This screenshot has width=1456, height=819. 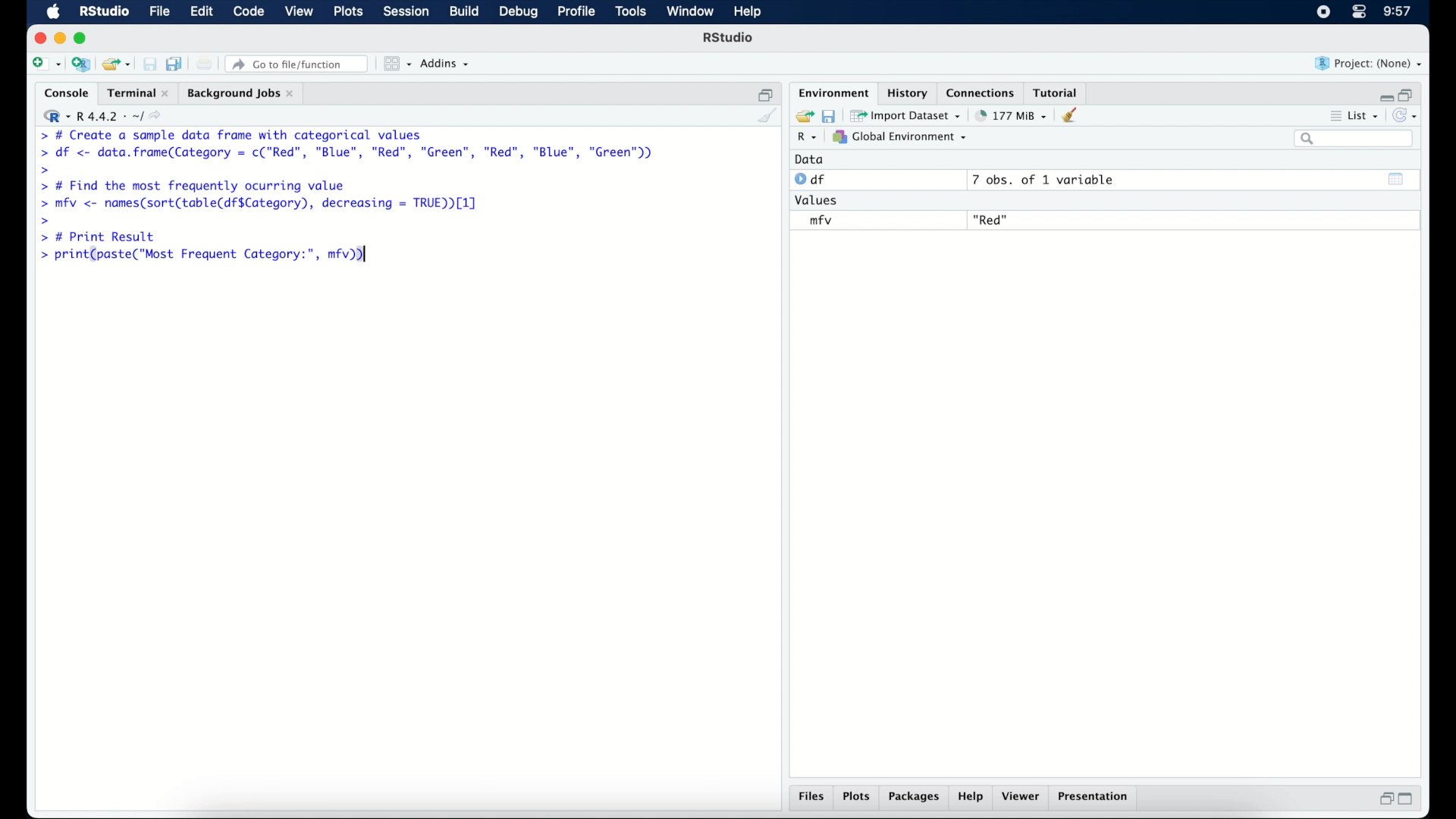 I want to click on maximize, so click(x=83, y=39).